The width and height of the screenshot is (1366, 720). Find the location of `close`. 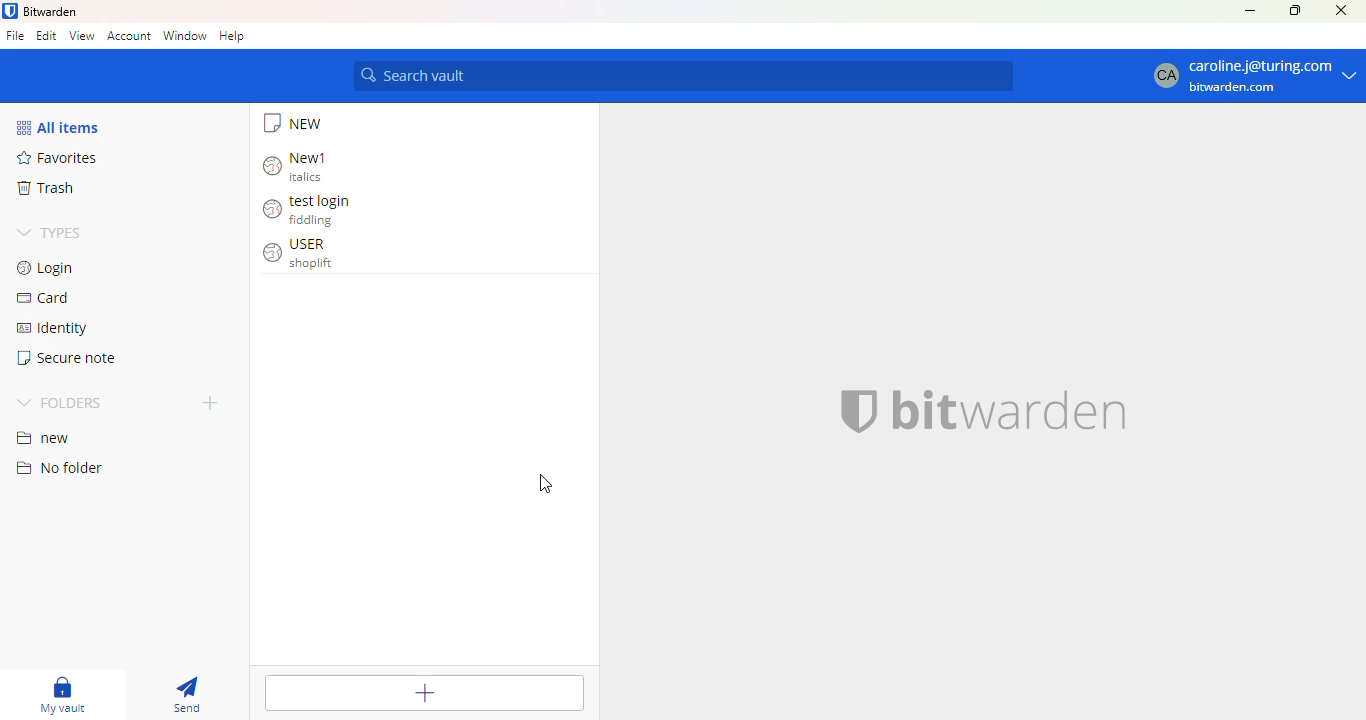

close is located at coordinates (1341, 11).